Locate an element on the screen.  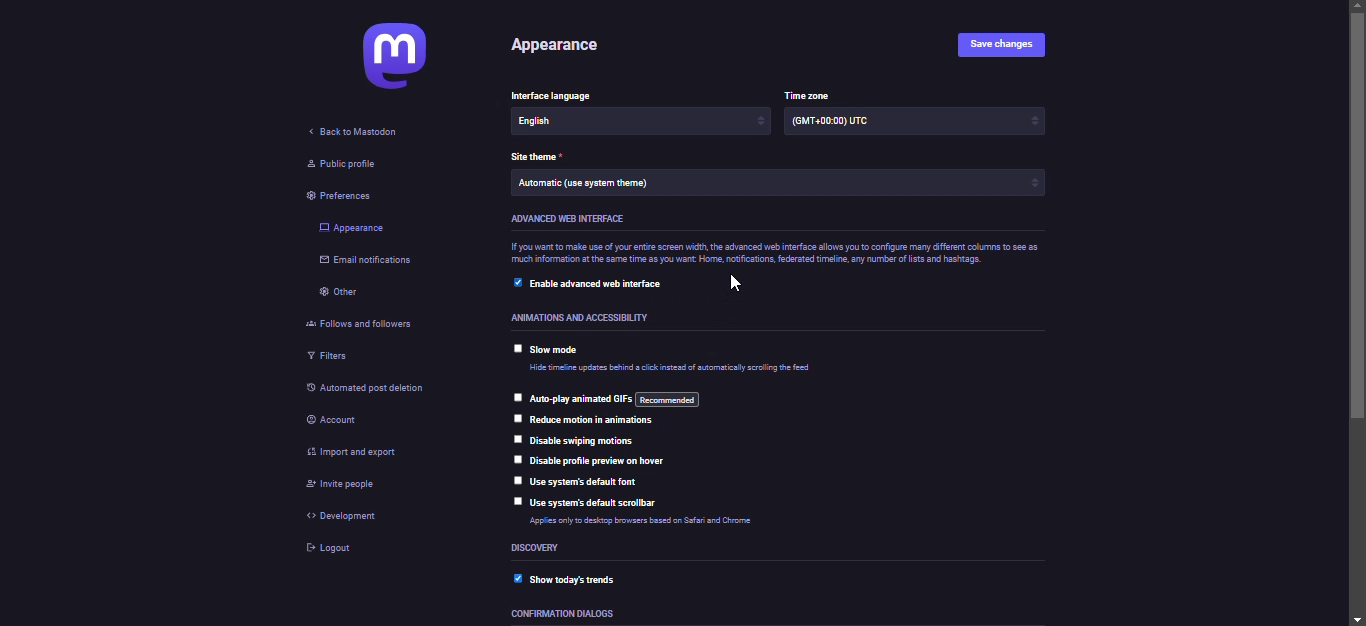
import & export is located at coordinates (347, 455).